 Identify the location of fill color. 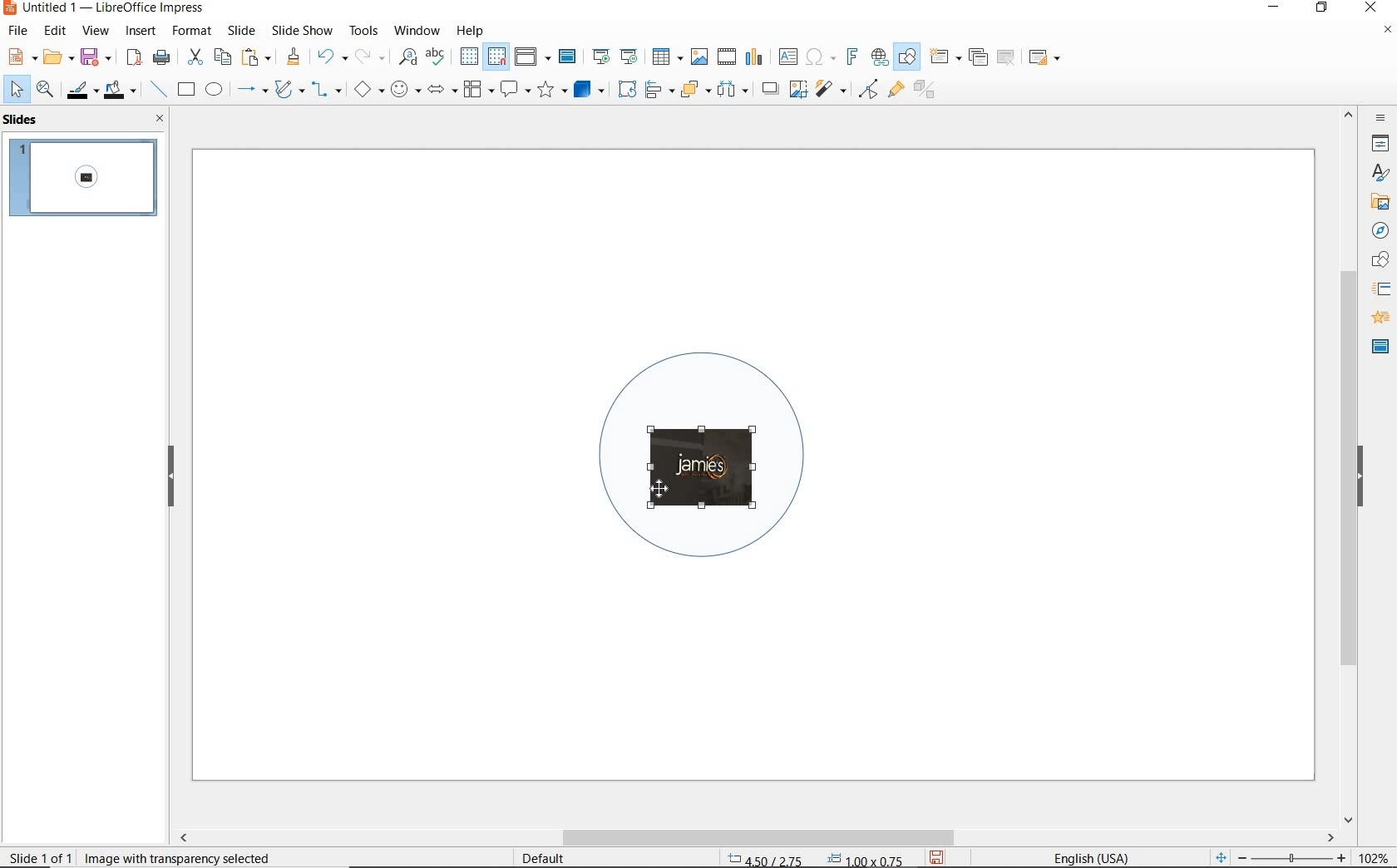
(122, 91).